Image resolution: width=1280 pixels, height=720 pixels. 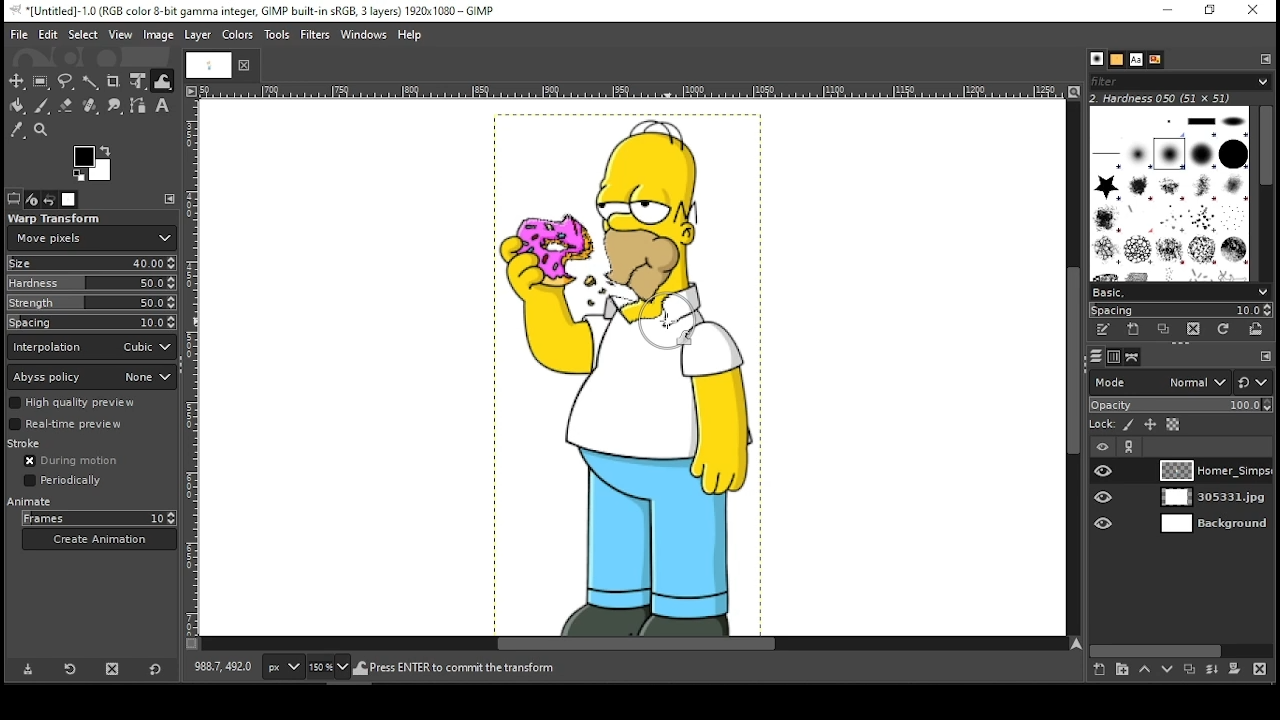 I want to click on restore tool preset, so click(x=69, y=668).